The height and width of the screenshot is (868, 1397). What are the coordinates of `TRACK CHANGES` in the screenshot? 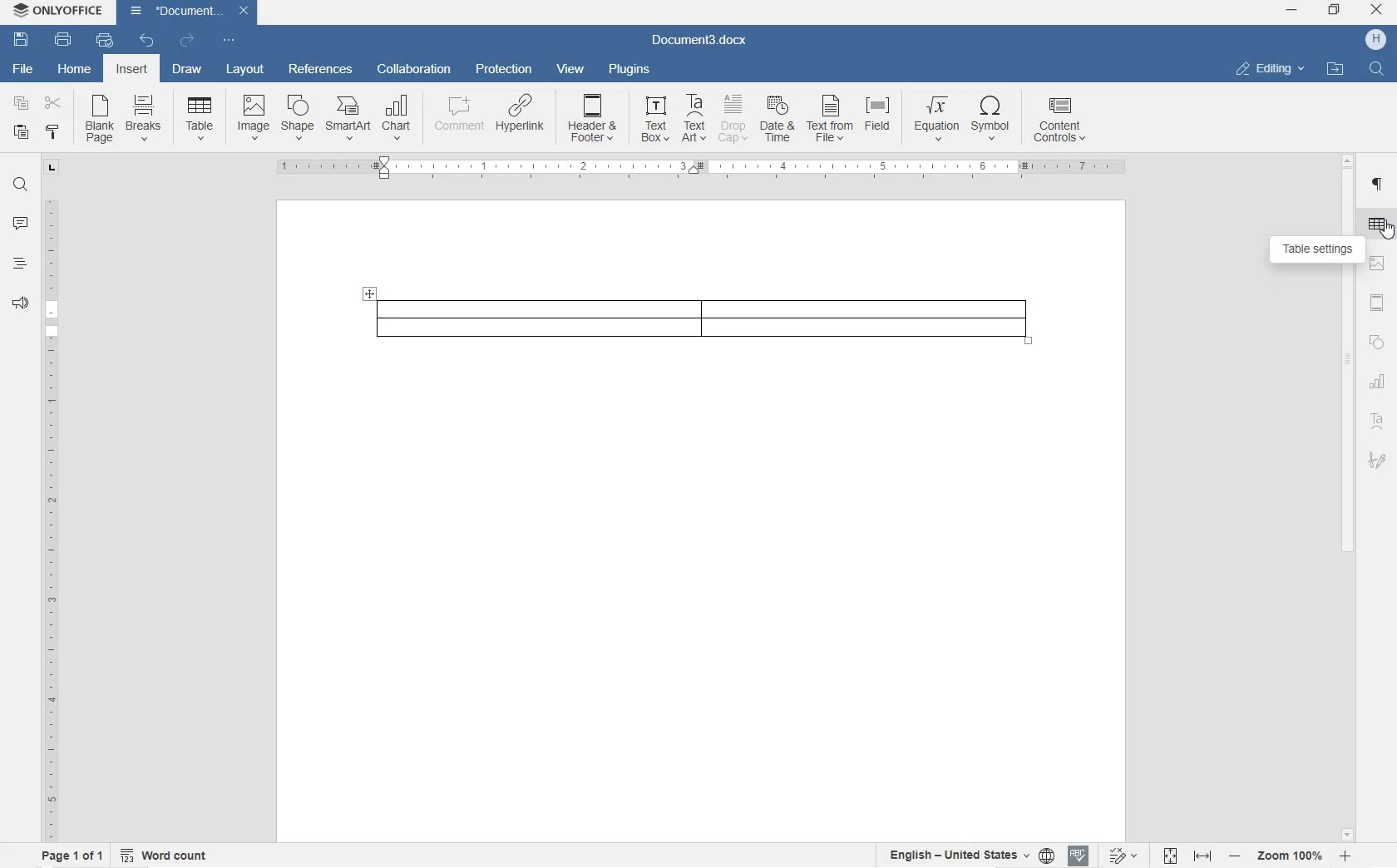 It's located at (1122, 855).